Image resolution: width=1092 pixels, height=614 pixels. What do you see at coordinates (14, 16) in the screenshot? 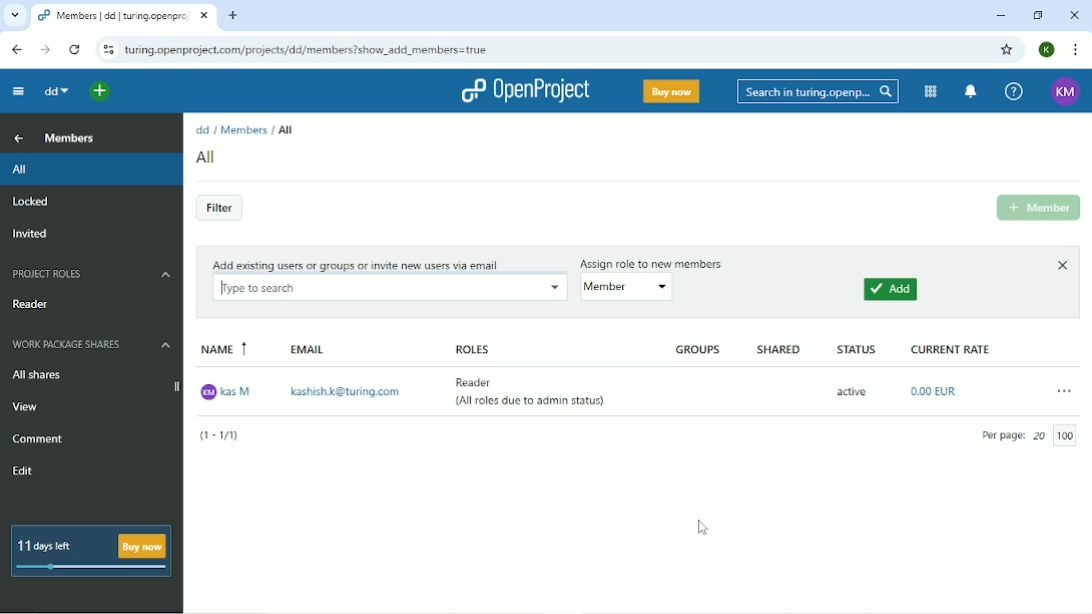
I see `Search tabs` at bounding box center [14, 16].